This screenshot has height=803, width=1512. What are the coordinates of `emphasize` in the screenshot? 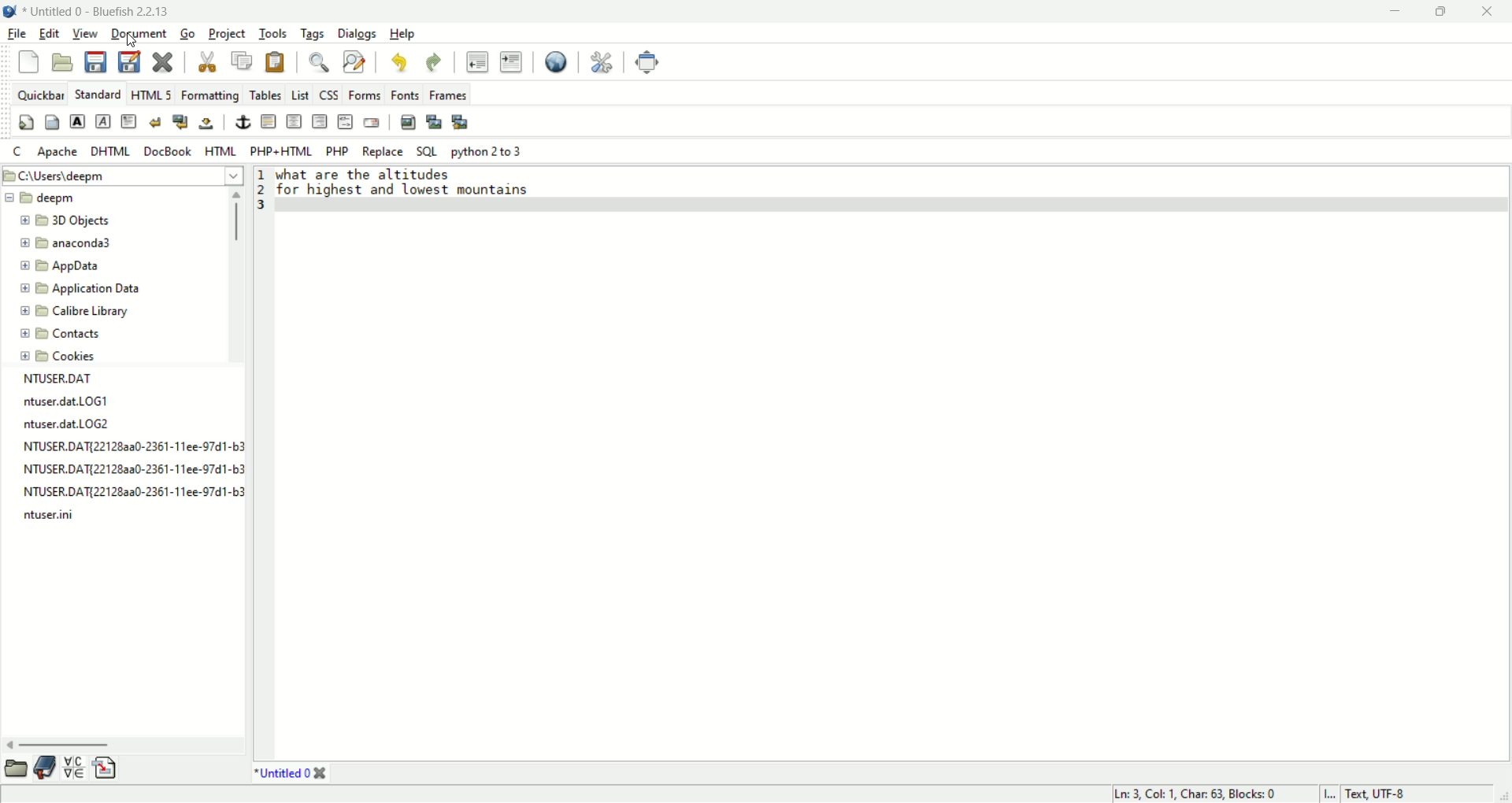 It's located at (102, 123).